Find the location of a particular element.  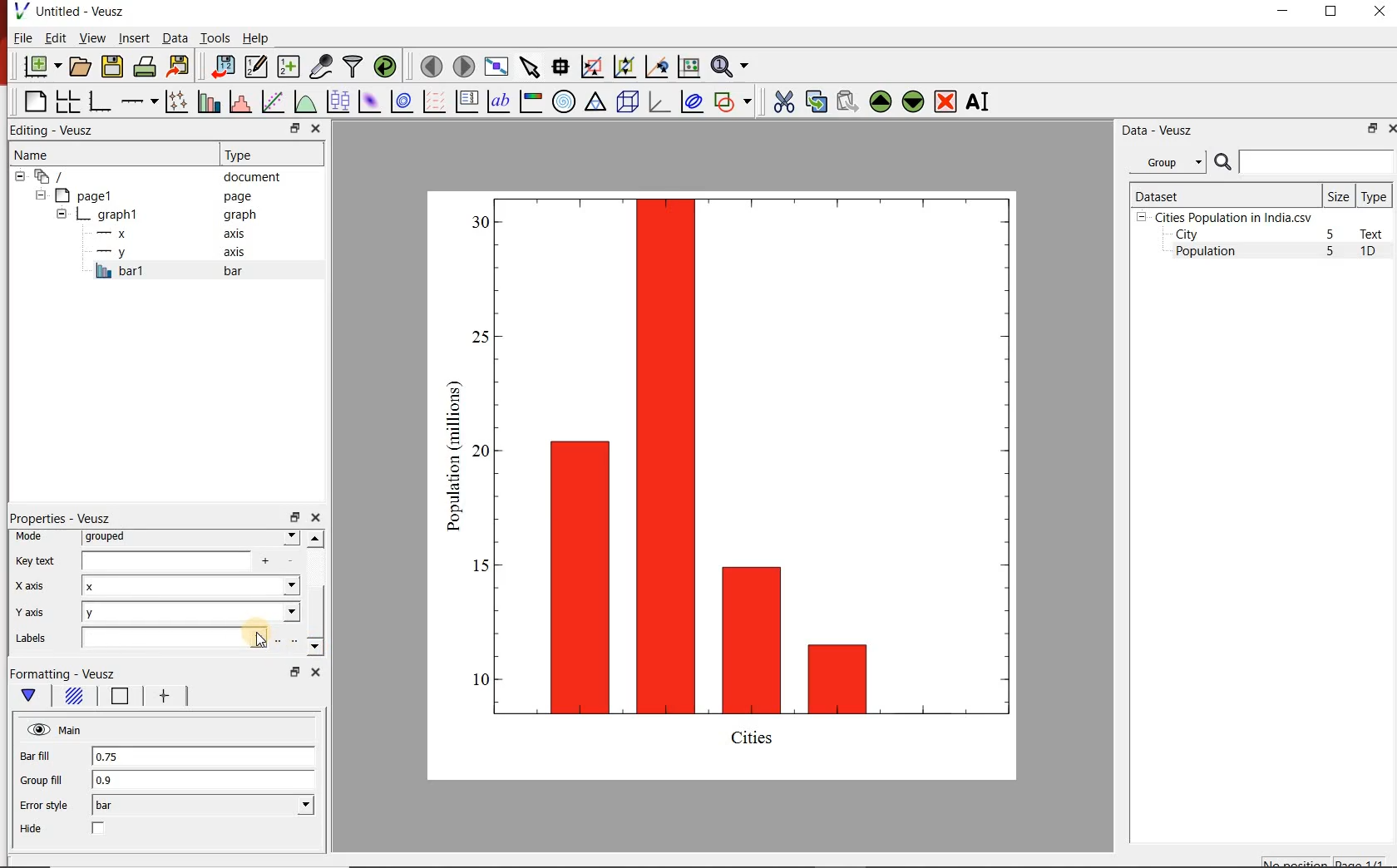

City is located at coordinates (1187, 234).